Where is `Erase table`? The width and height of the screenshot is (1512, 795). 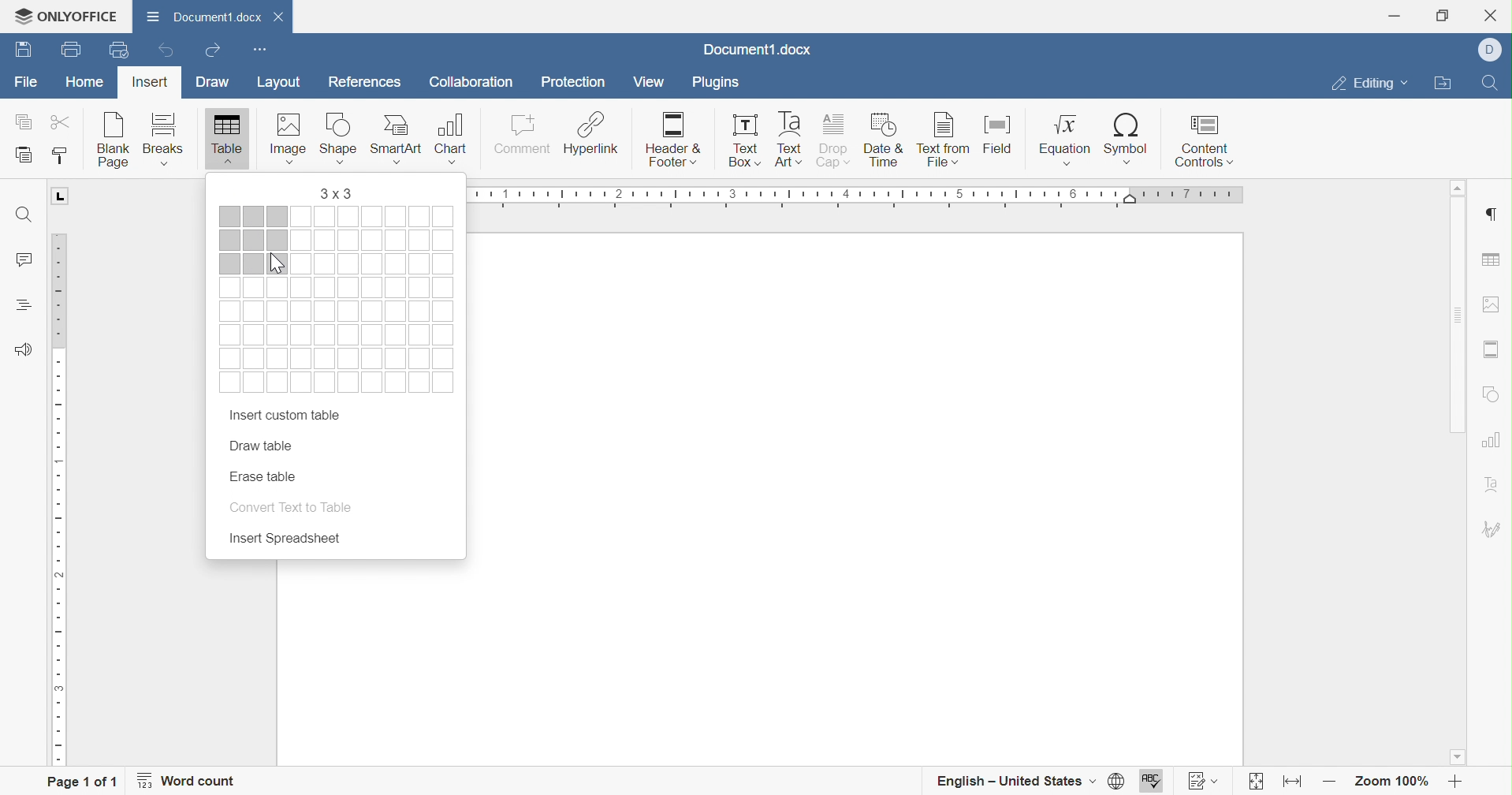
Erase table is located at coordinates (263, 476).